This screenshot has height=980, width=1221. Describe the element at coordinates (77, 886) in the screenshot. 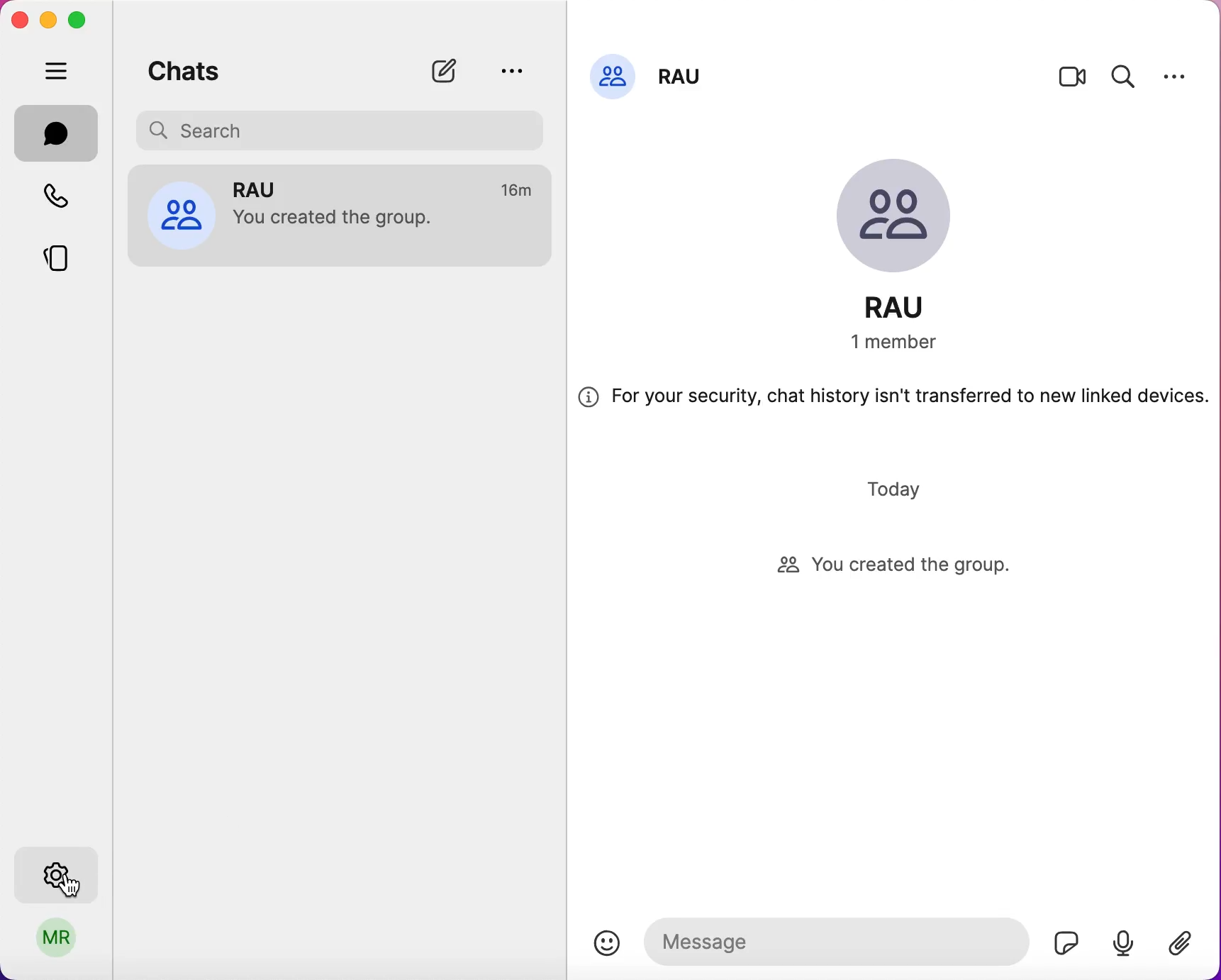

I see `cursor` at that location.